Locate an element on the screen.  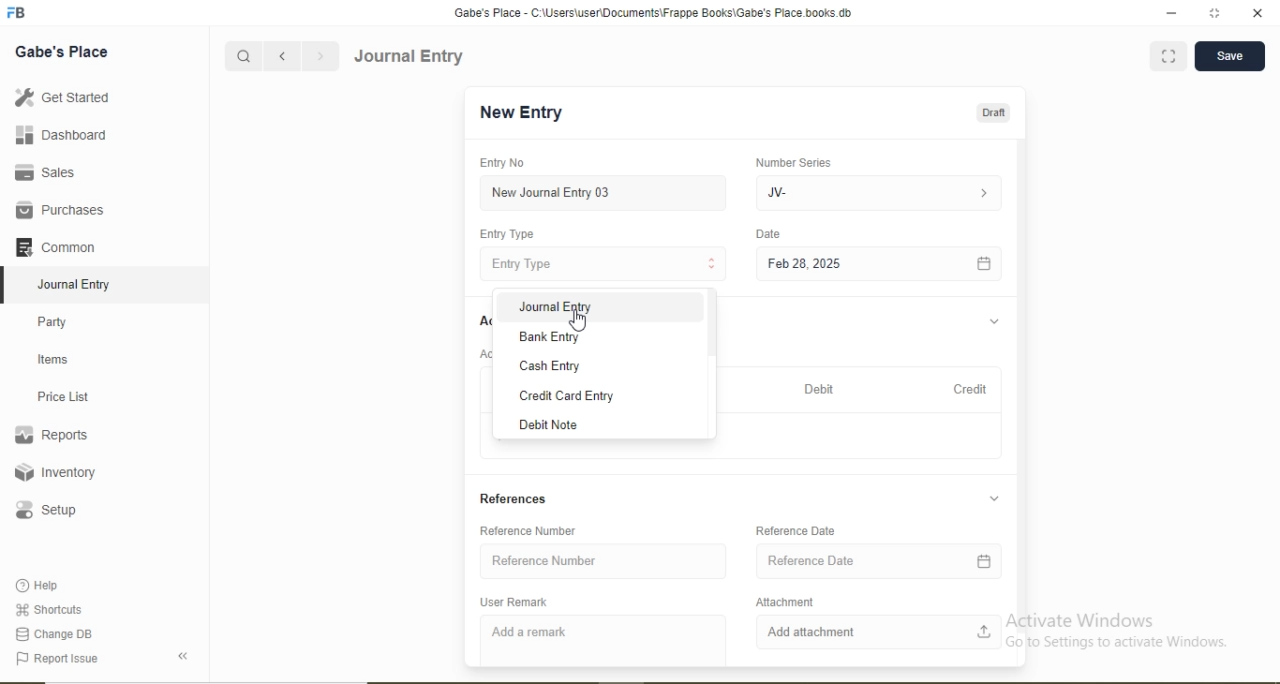
Debit Note is located at coordinates (546, 425).